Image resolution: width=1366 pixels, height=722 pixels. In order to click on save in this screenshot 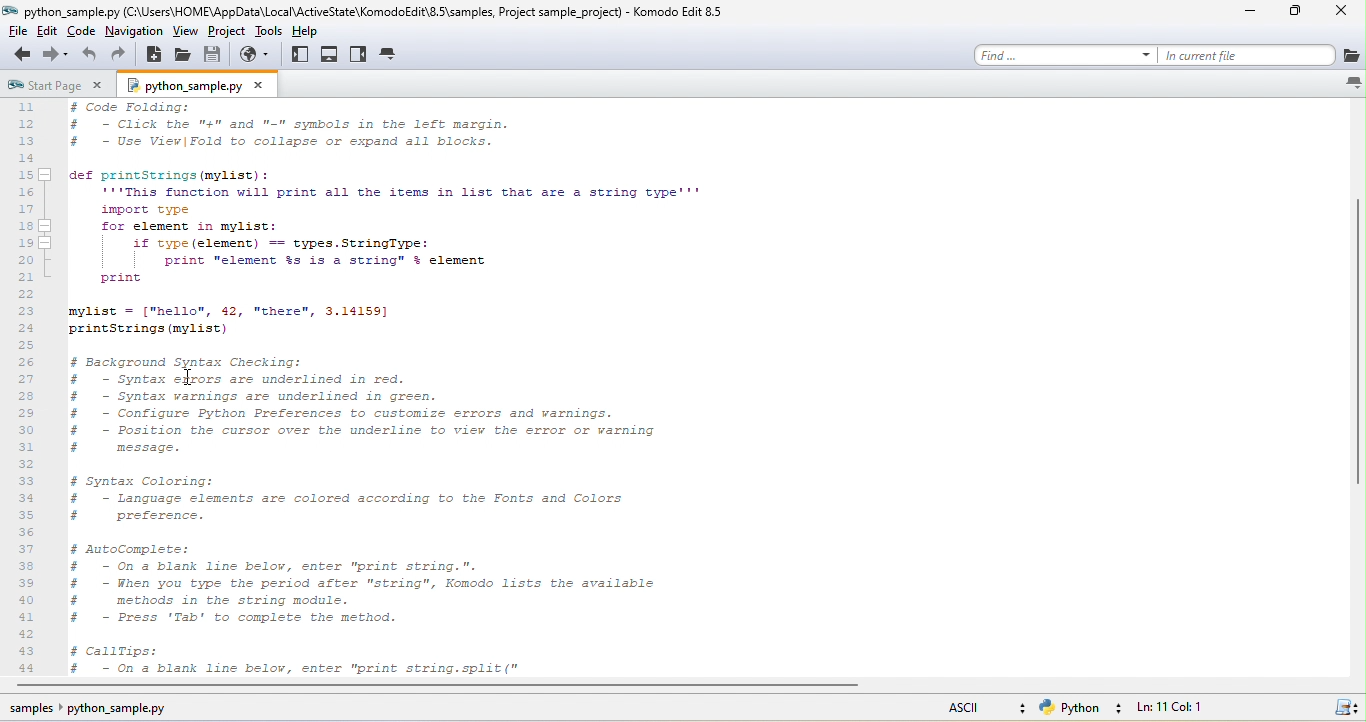, I will do `click(215, 58)`.